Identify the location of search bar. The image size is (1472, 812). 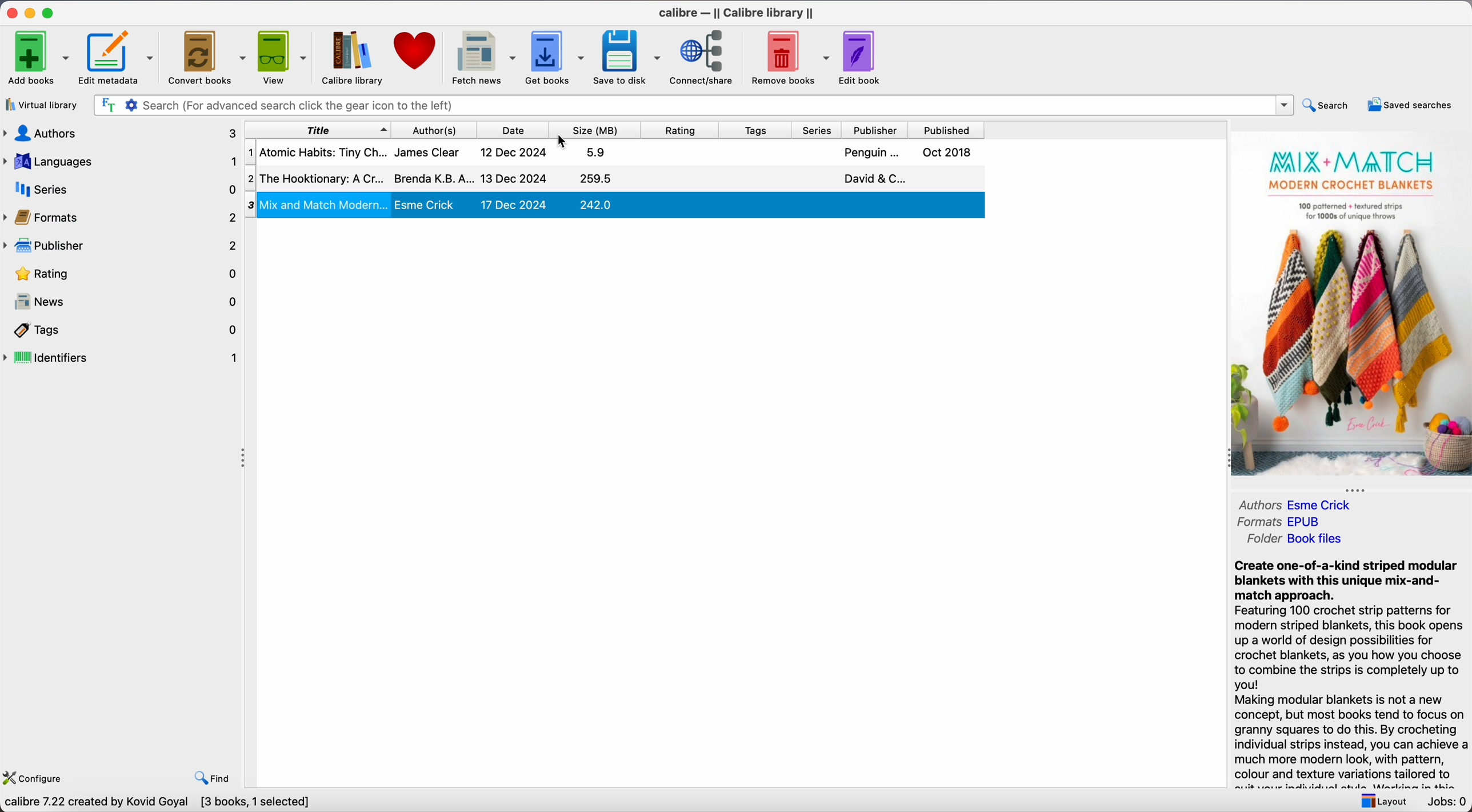
(692, 105).